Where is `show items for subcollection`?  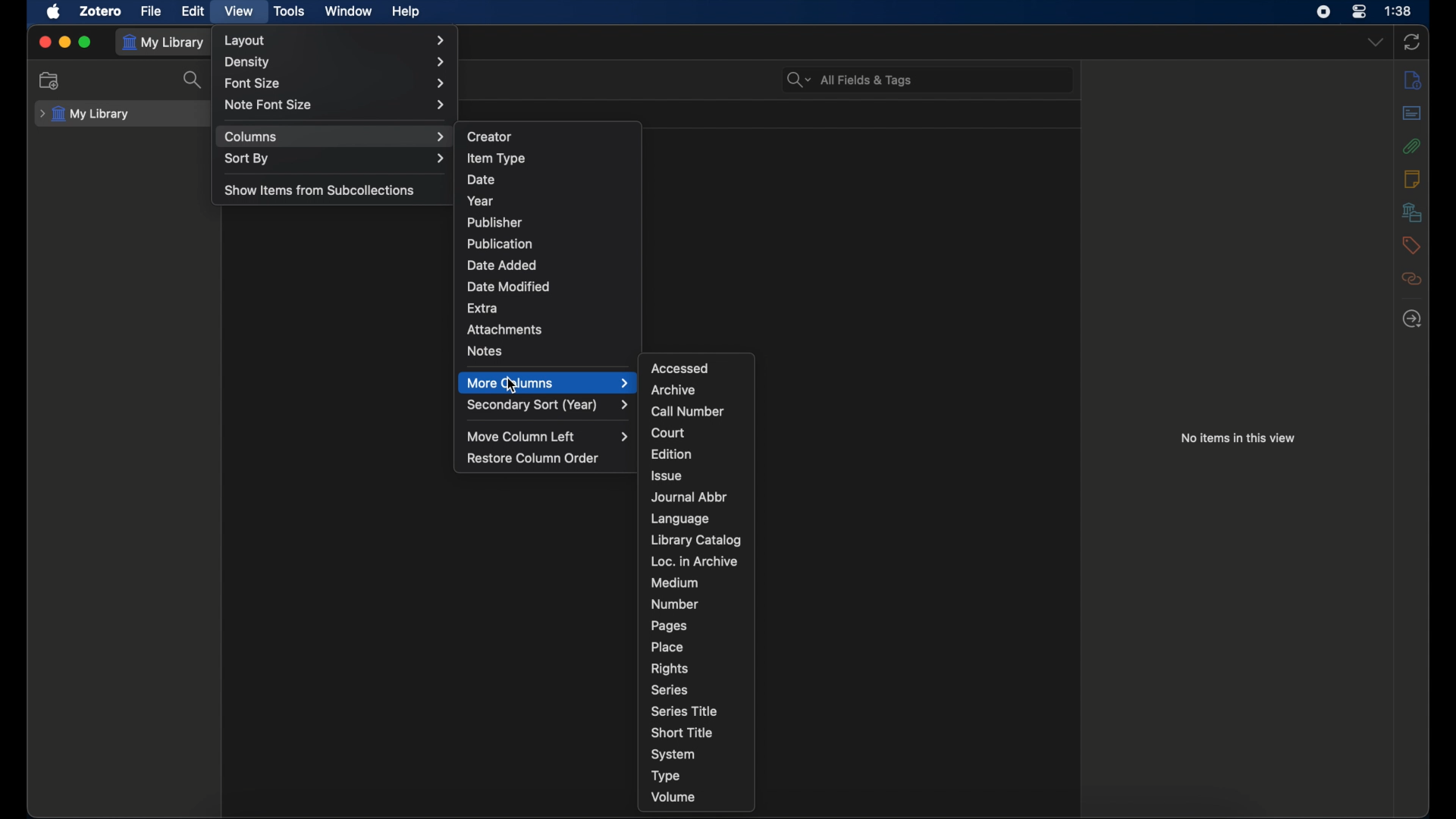 show items for subcollection is located at coordinates (319, 191).